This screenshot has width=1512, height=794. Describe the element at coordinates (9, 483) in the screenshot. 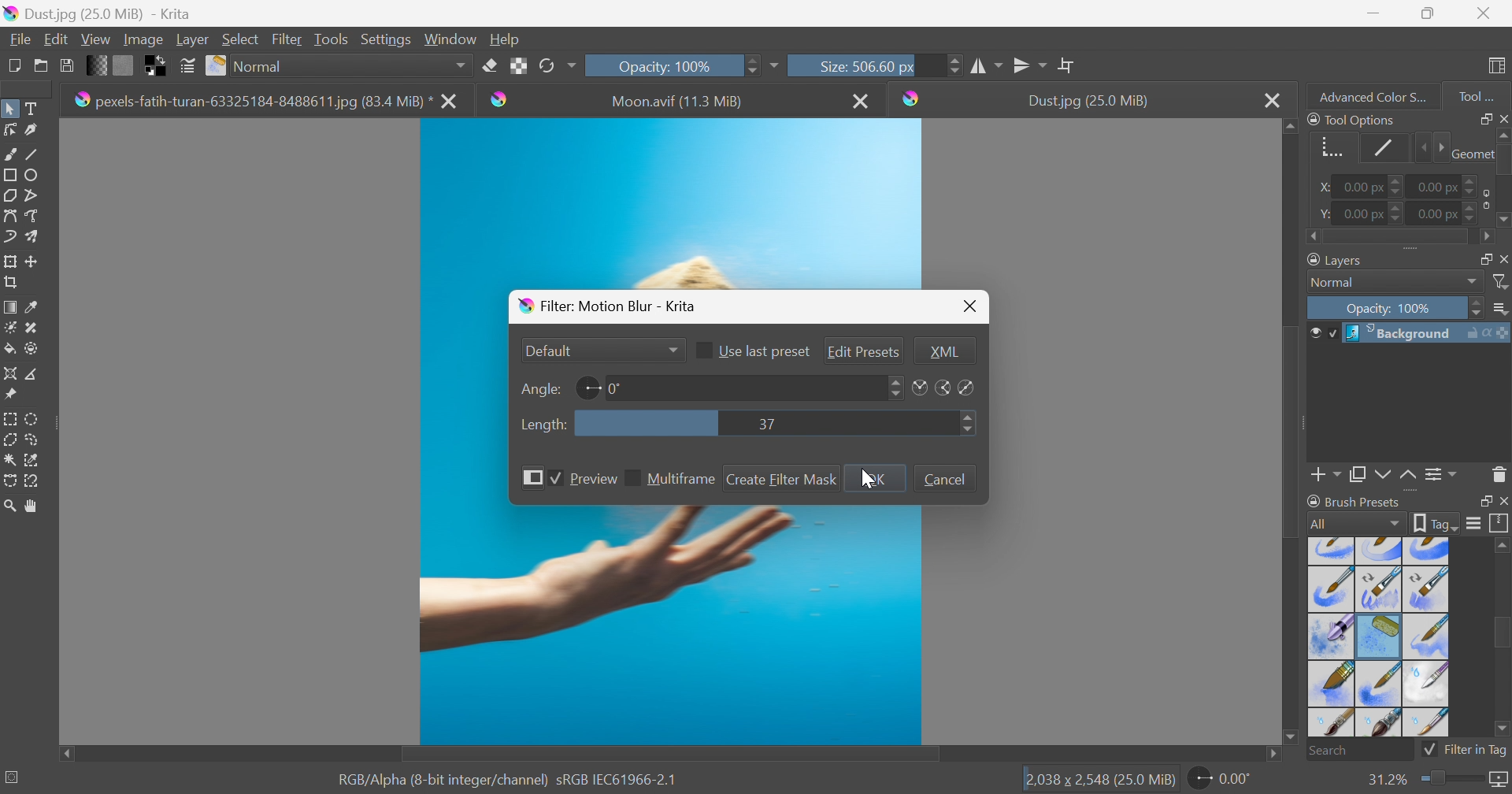

I see `selection tool` at that location.